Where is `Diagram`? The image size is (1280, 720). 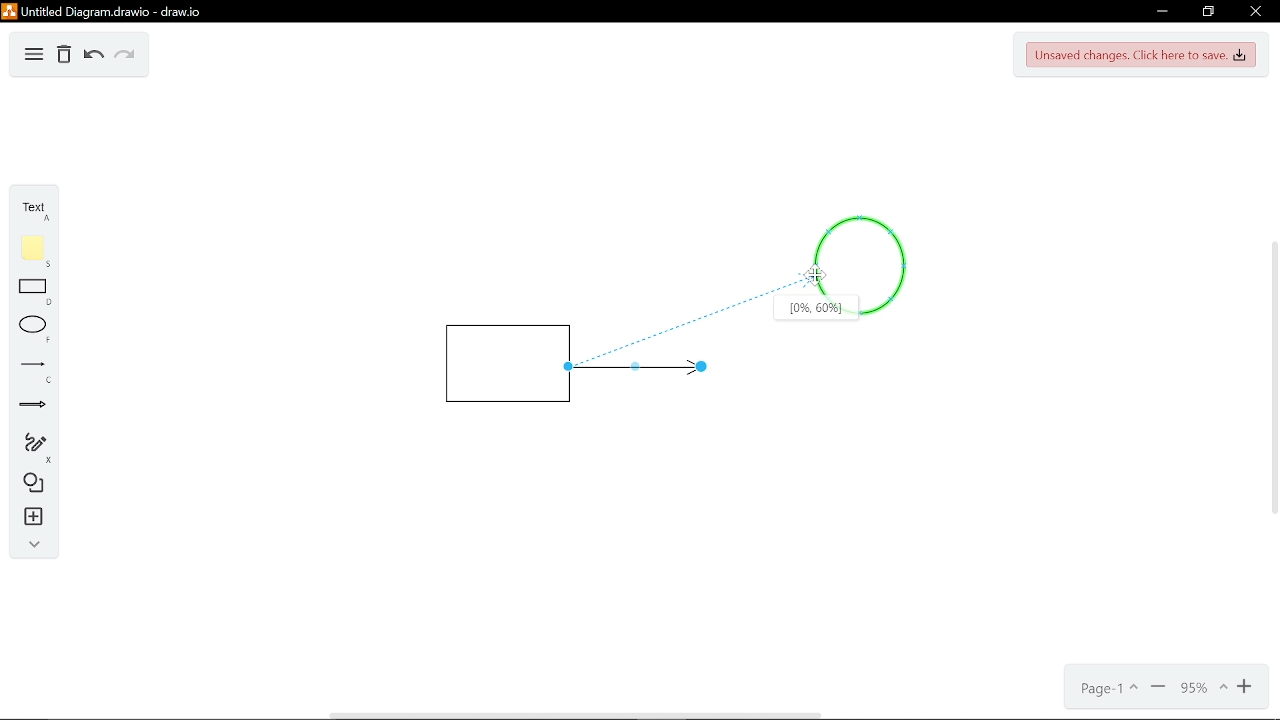 Diagram is located at coordinates (34, 56).